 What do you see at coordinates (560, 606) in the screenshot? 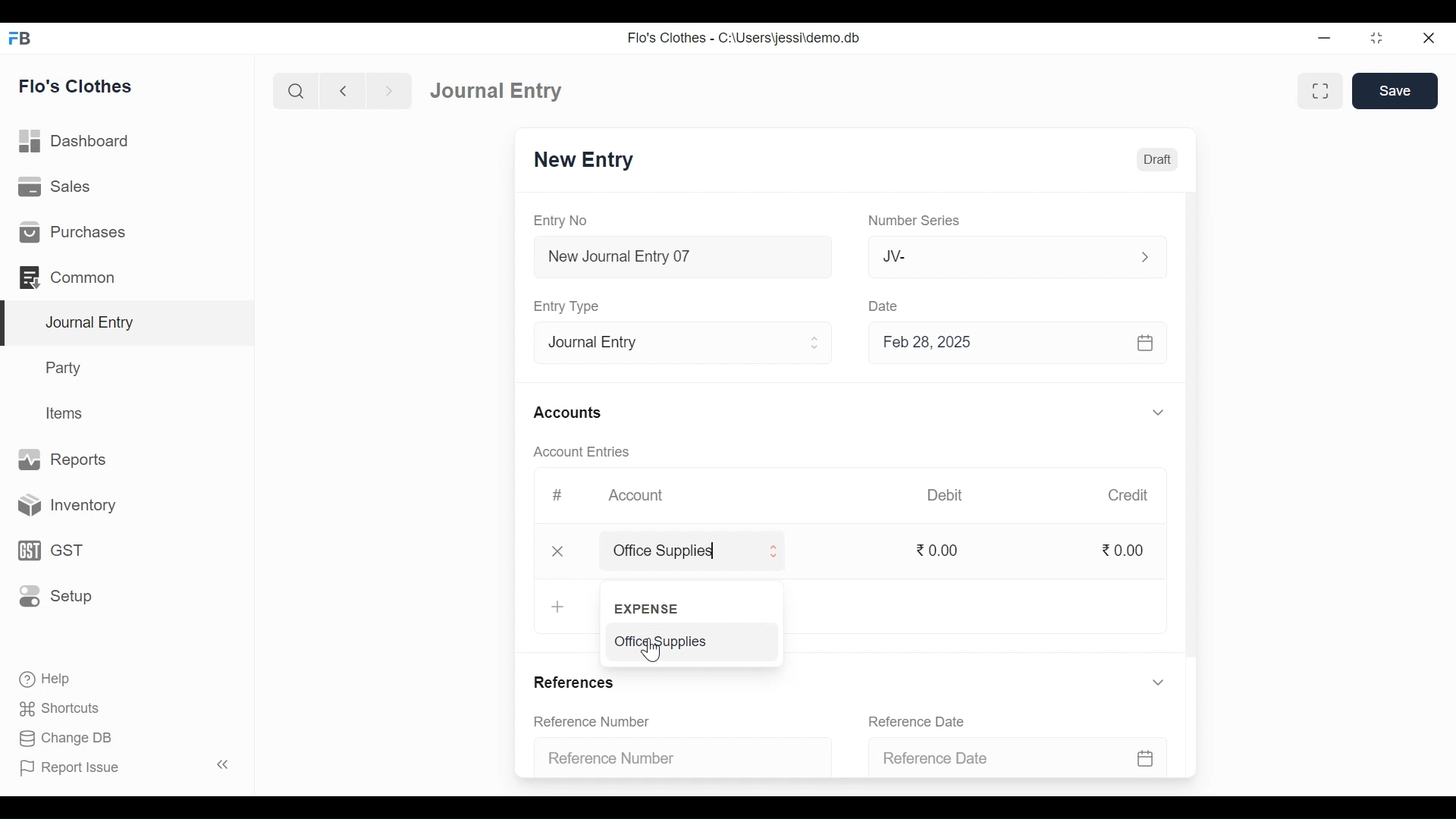
I see `+ Add Row` at bounding box center [560, 606].